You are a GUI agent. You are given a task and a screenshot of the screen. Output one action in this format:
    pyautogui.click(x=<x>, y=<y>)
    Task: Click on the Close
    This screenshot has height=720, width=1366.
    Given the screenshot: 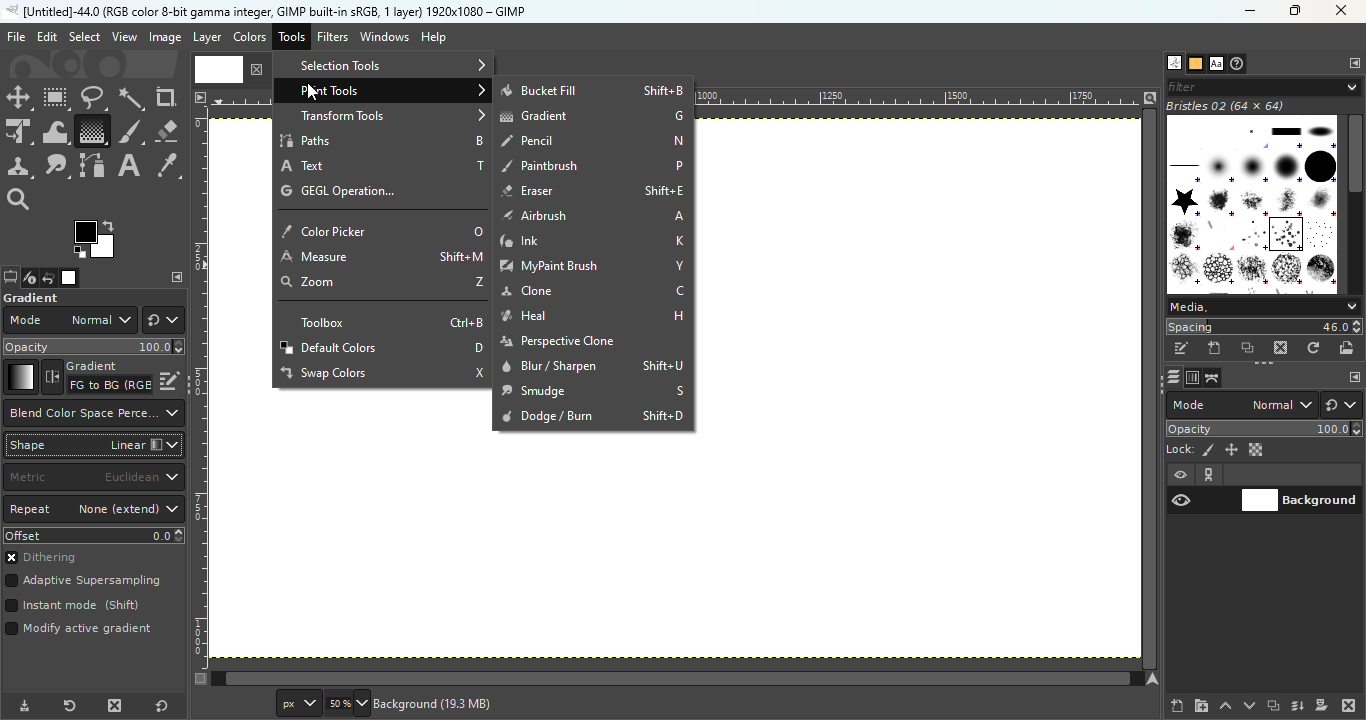 What is the action you would take?
    pyautogui.click(x=1343, y=12)
    